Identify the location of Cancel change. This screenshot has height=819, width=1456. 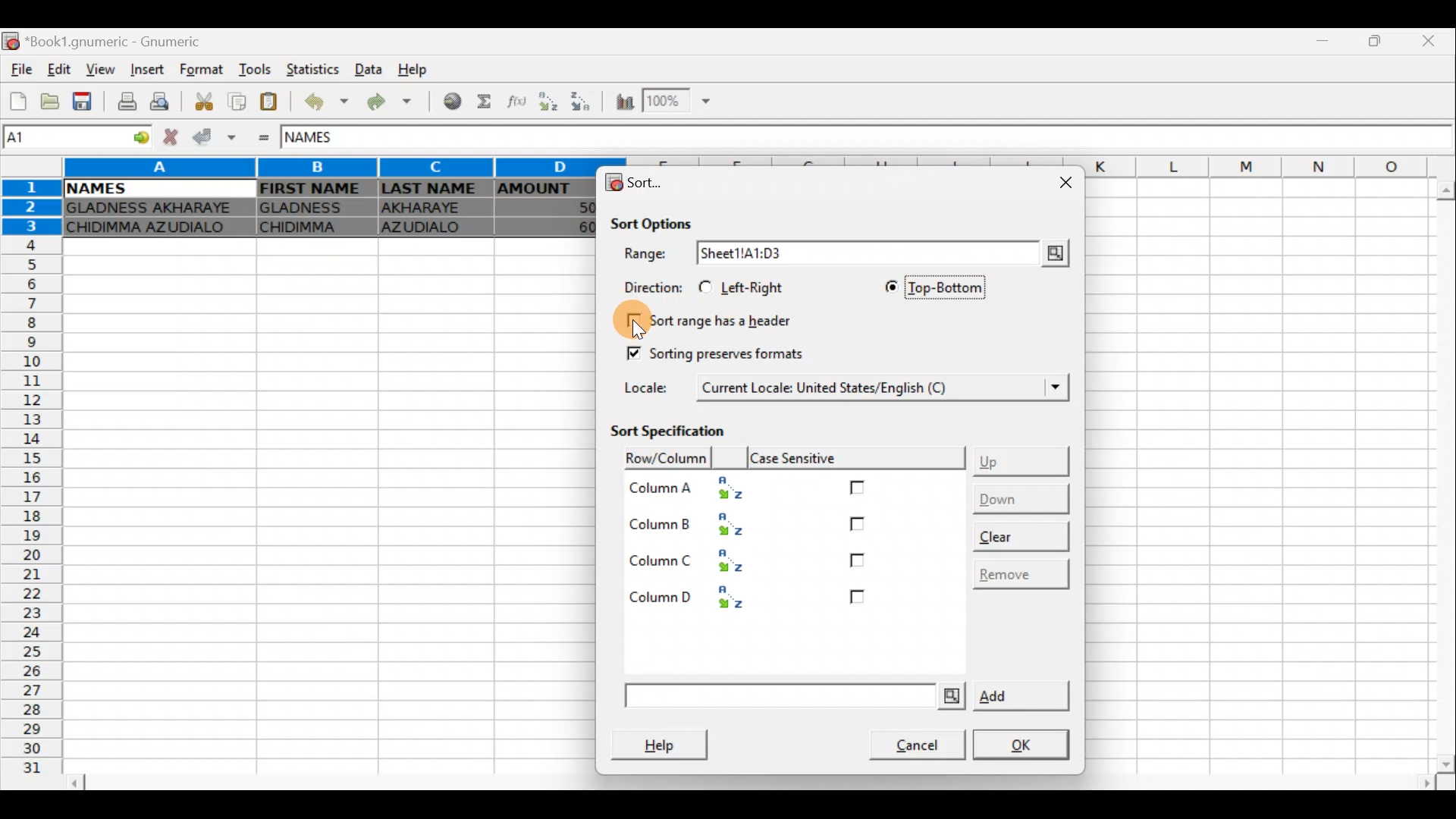
(168, 138).